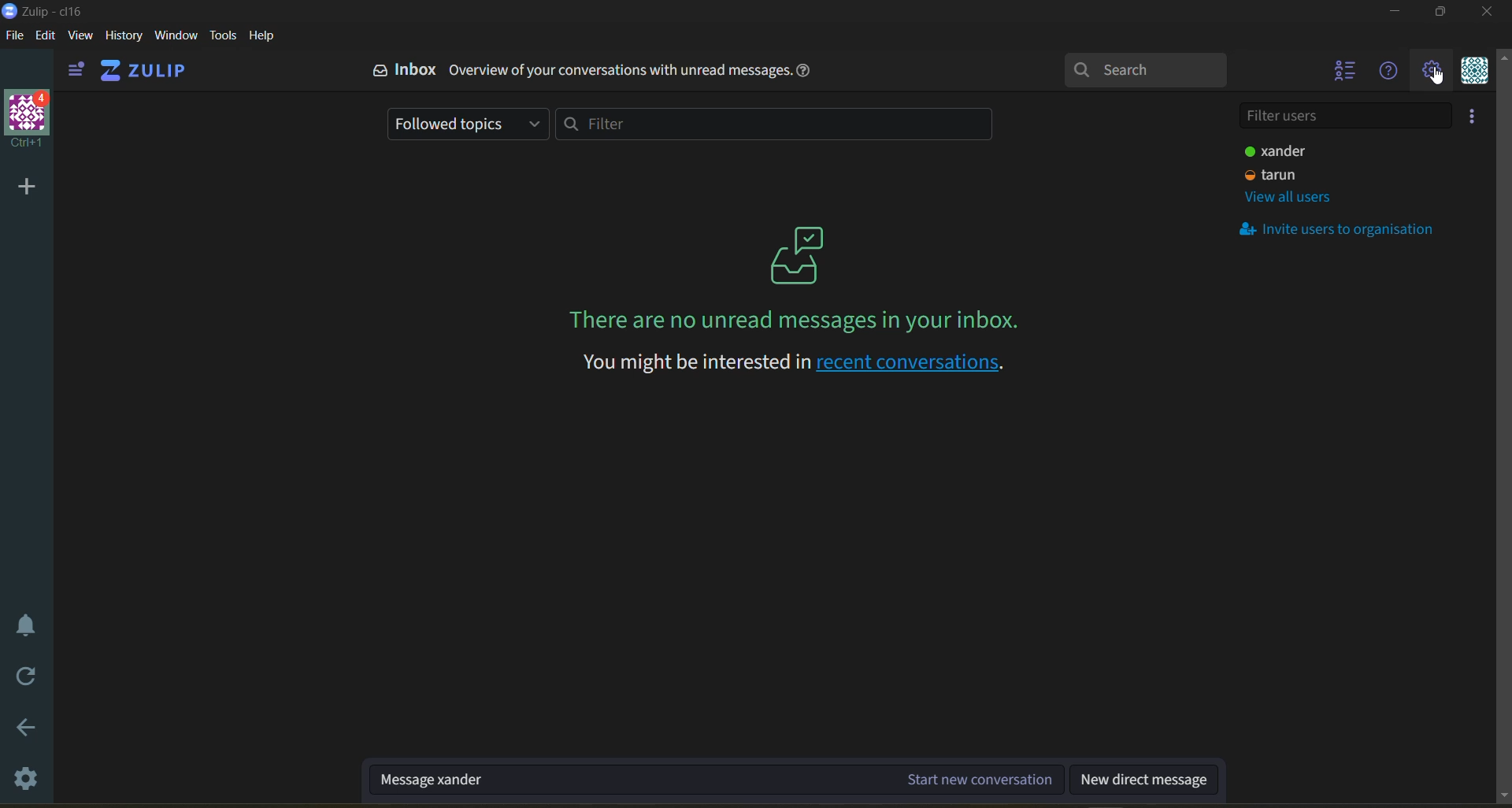 Image resolution: width=1512 pixels, height=808 pixels. I want to click on organisation name and profile picture, so click(27, 120).